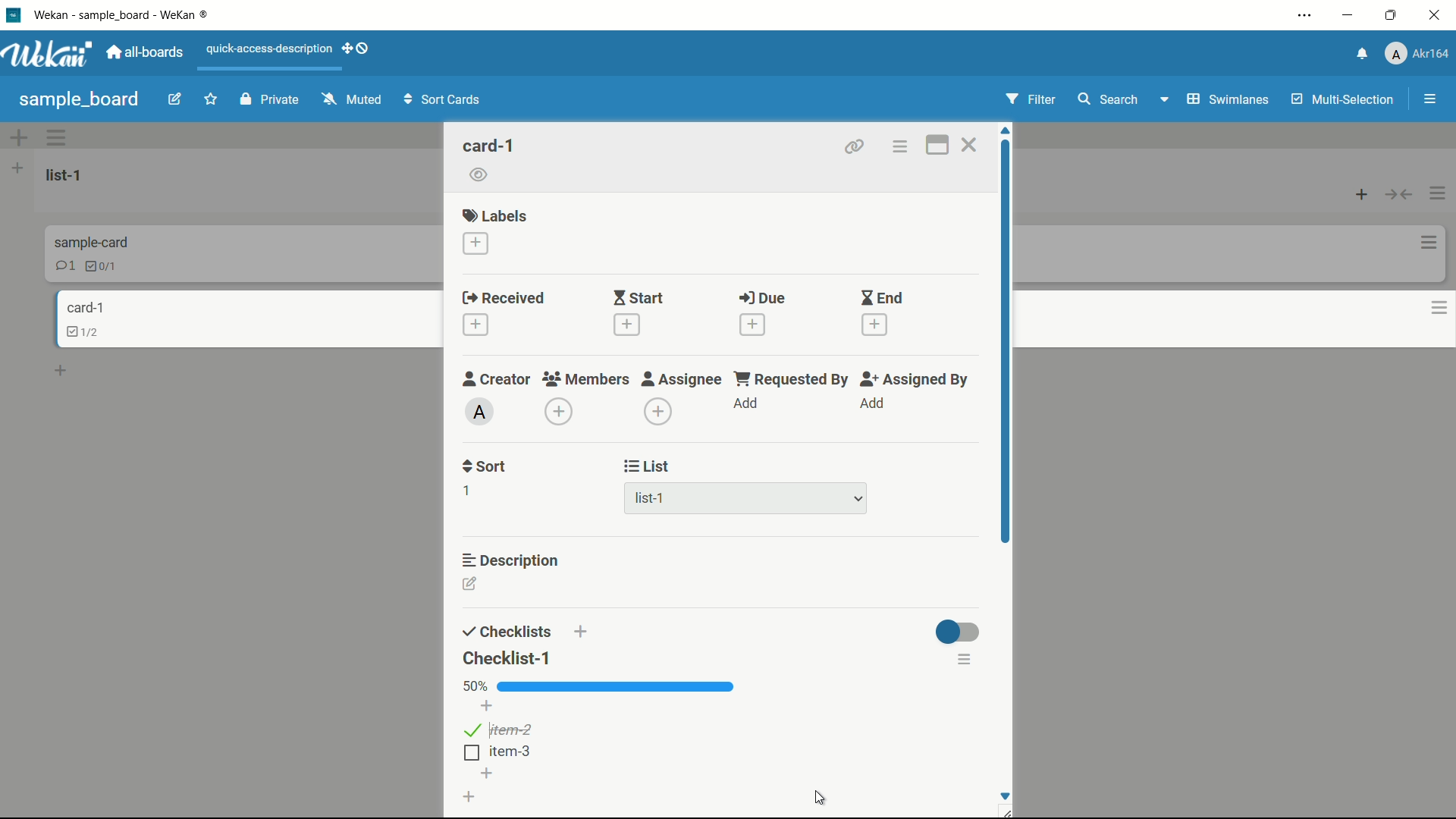 The image size is (1456, 819). I want to click on add assignee, so click(657, 413).